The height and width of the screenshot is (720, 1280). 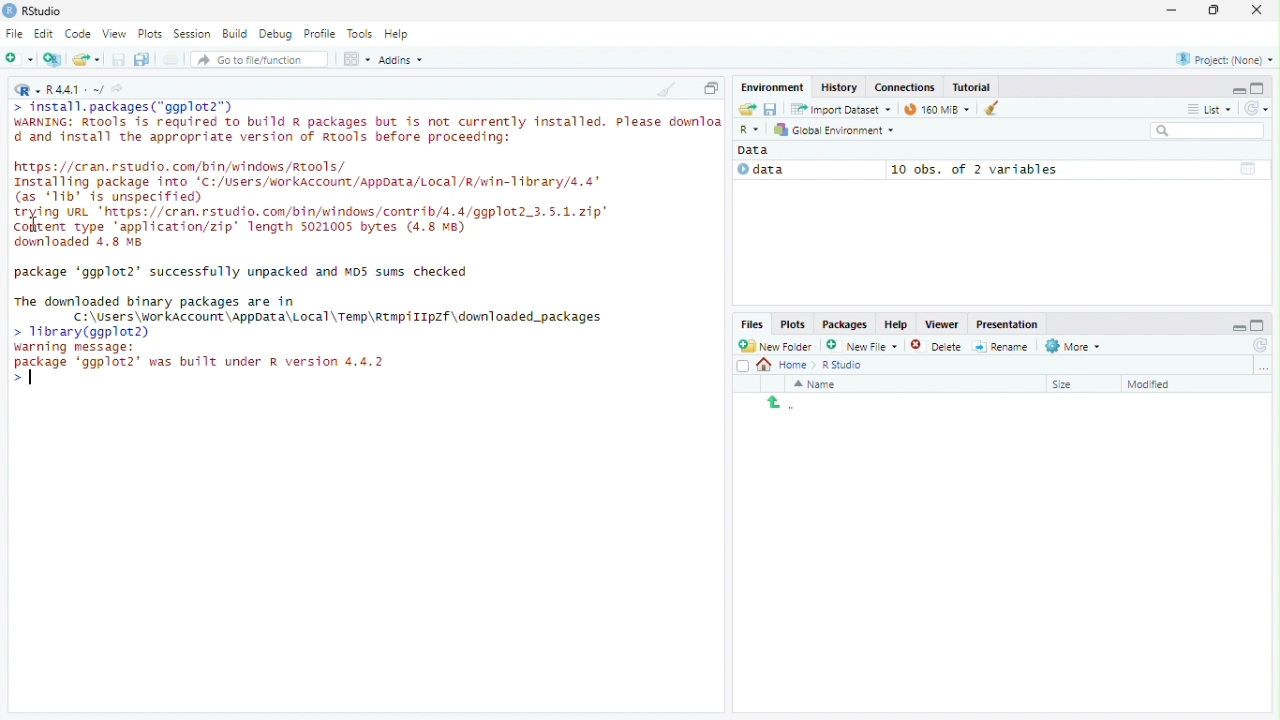 I want to click on Sort by name, so click(x=821, y=384).